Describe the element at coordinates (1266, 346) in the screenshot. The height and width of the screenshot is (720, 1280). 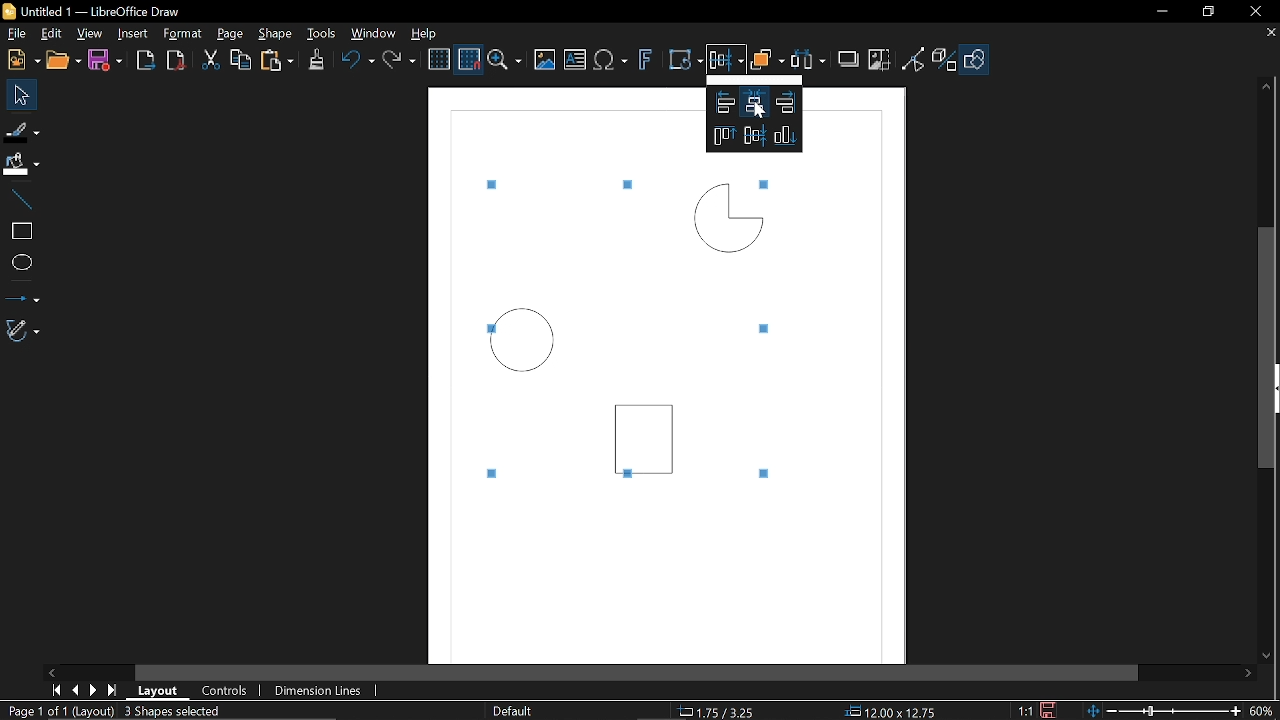
I see `Vertical scrollbar` at that location.